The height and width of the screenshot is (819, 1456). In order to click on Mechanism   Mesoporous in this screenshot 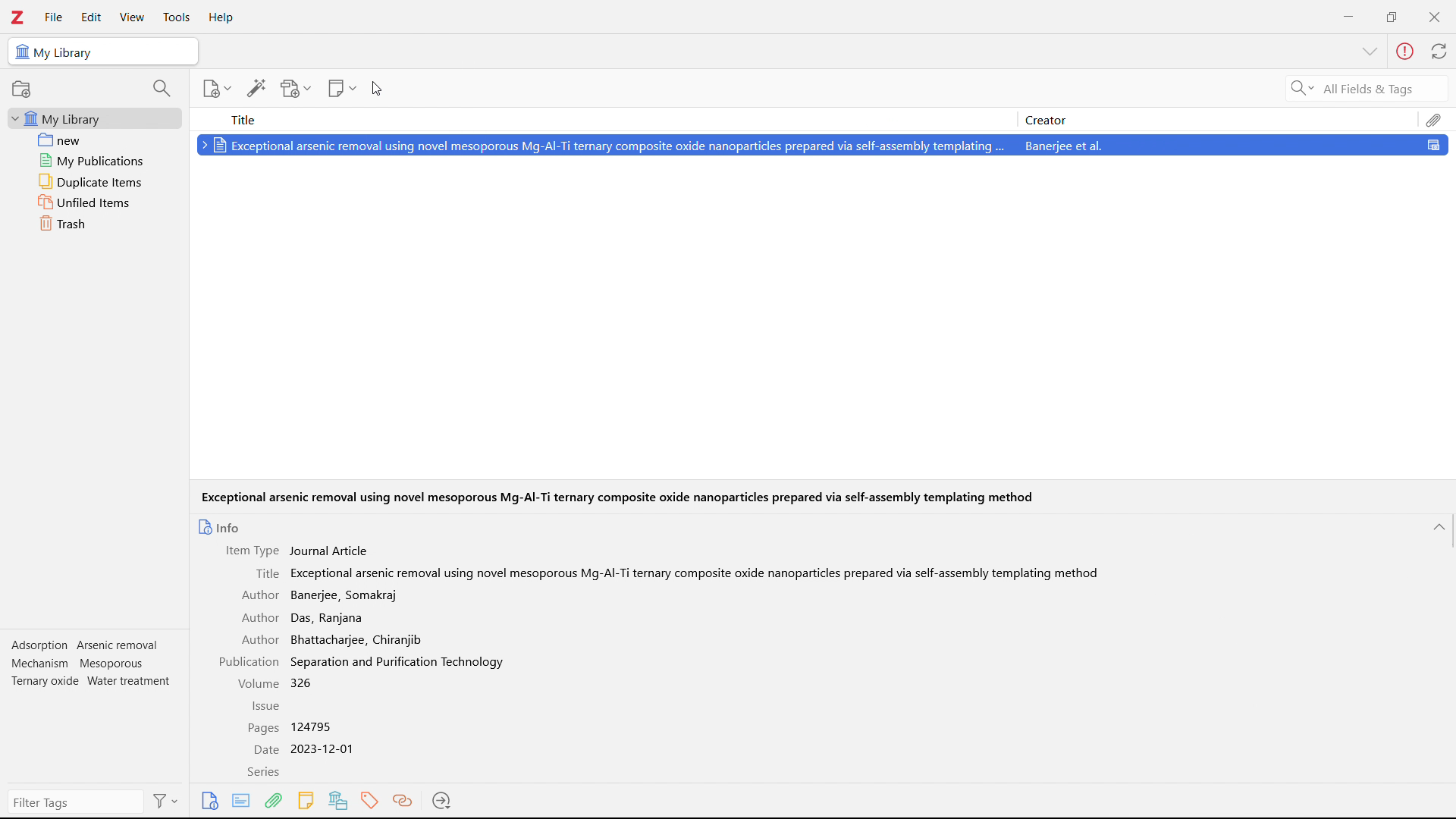, I will do `click(79, 663)`.